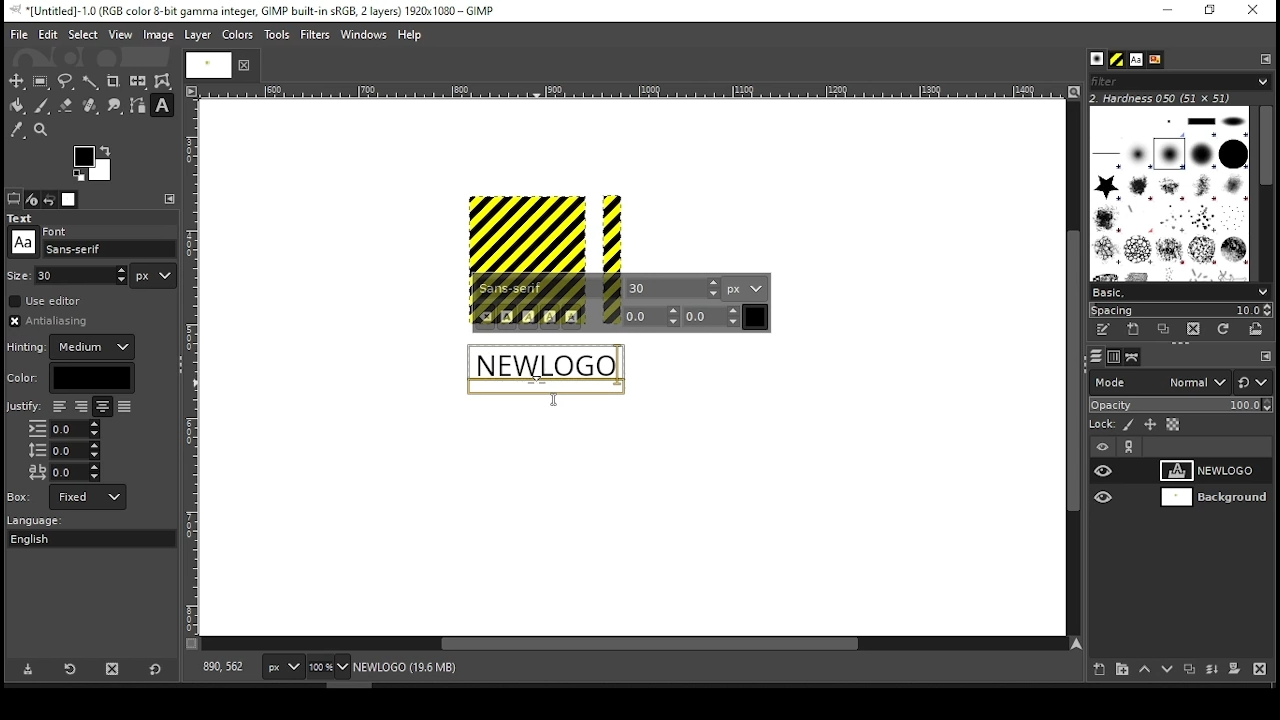  I want to click on images, so click(70, 200).